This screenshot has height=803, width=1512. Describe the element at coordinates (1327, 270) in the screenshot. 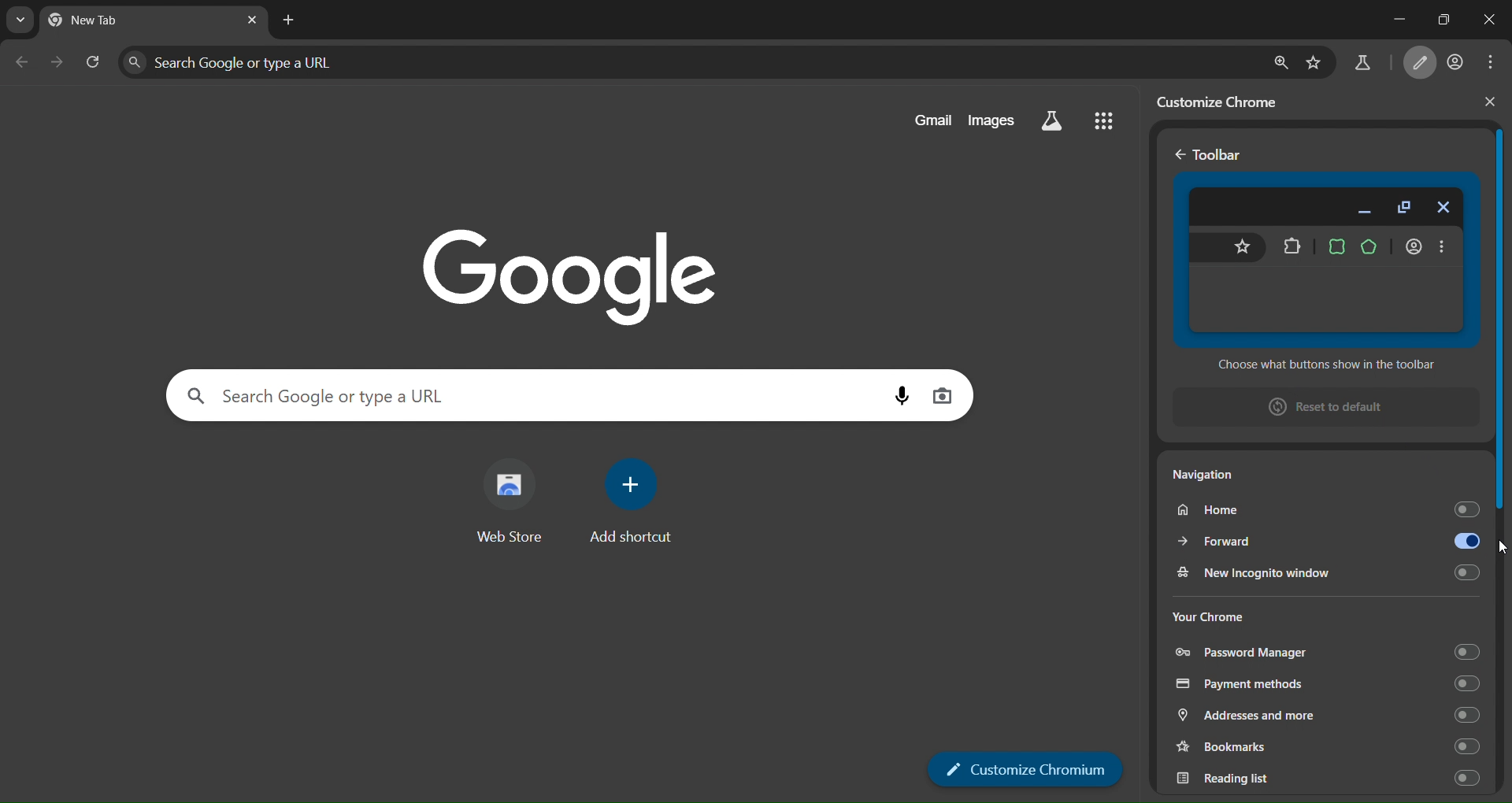

I see `toolbar preview` at that location.